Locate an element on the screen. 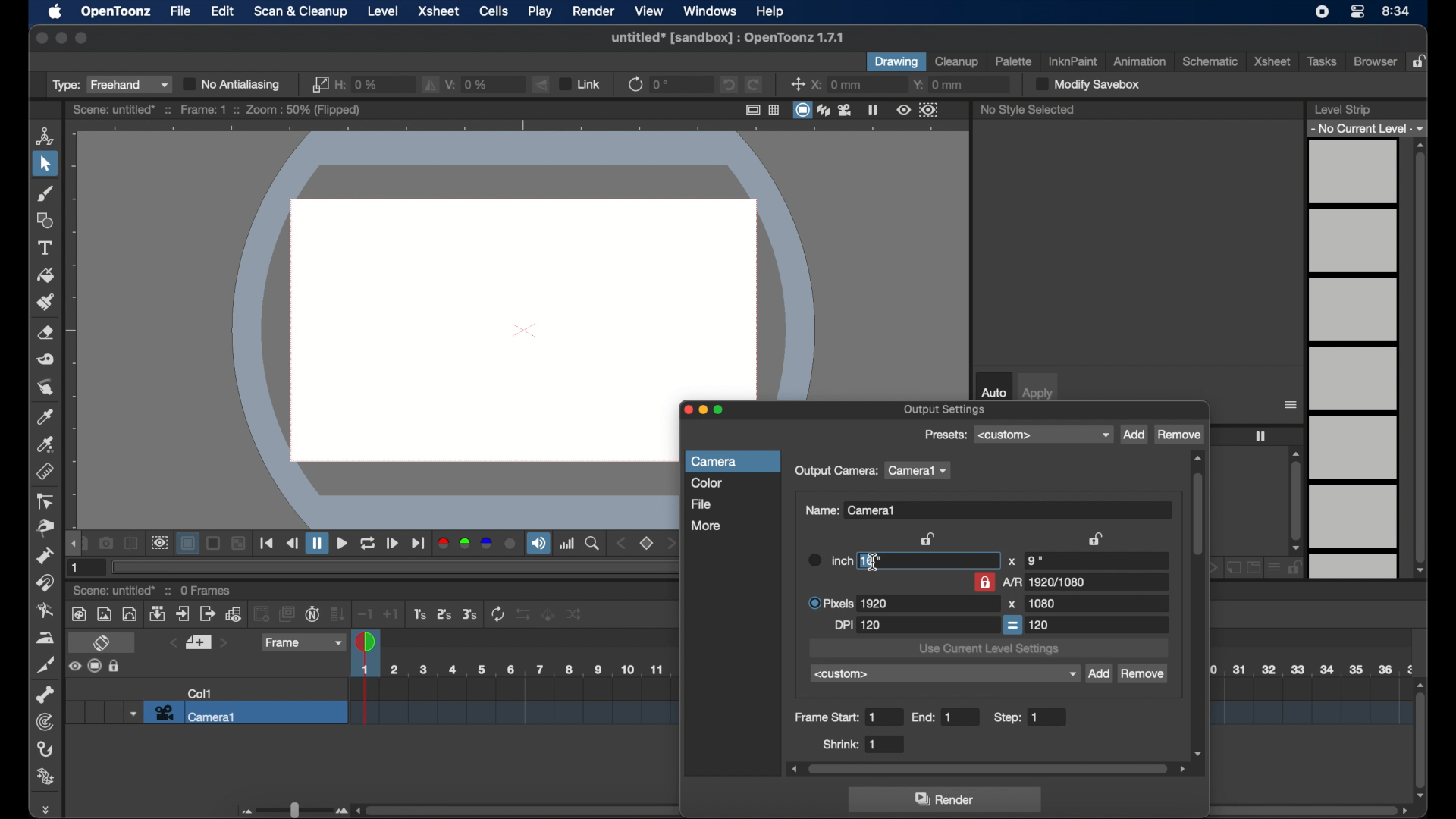  scene scale is located at coordinates (1312, 668).